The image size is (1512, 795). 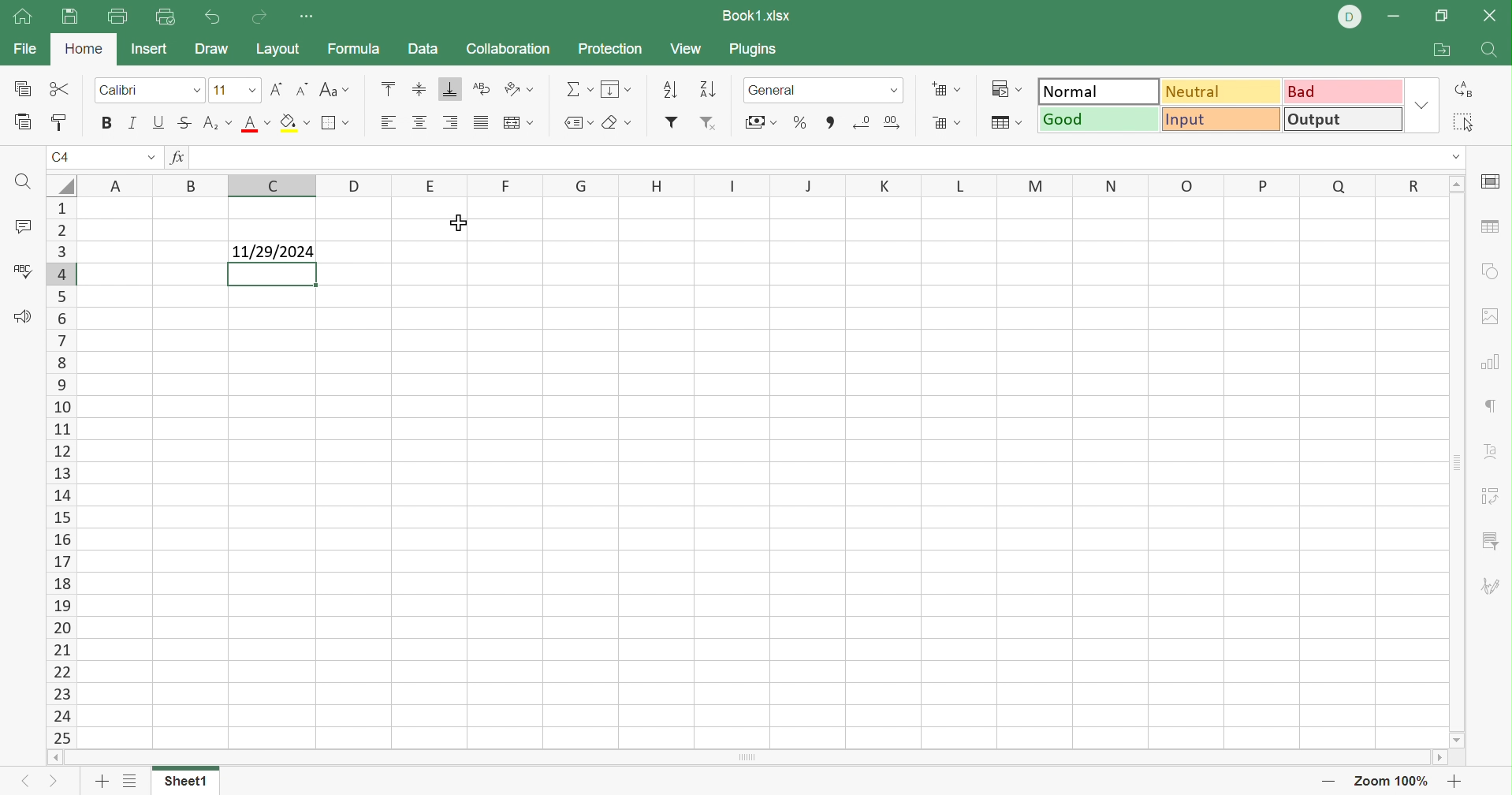 What do you see at coordinates (896, 123) in the screenshot?
I see `Increase decimal` at bounding box center [896, 123].